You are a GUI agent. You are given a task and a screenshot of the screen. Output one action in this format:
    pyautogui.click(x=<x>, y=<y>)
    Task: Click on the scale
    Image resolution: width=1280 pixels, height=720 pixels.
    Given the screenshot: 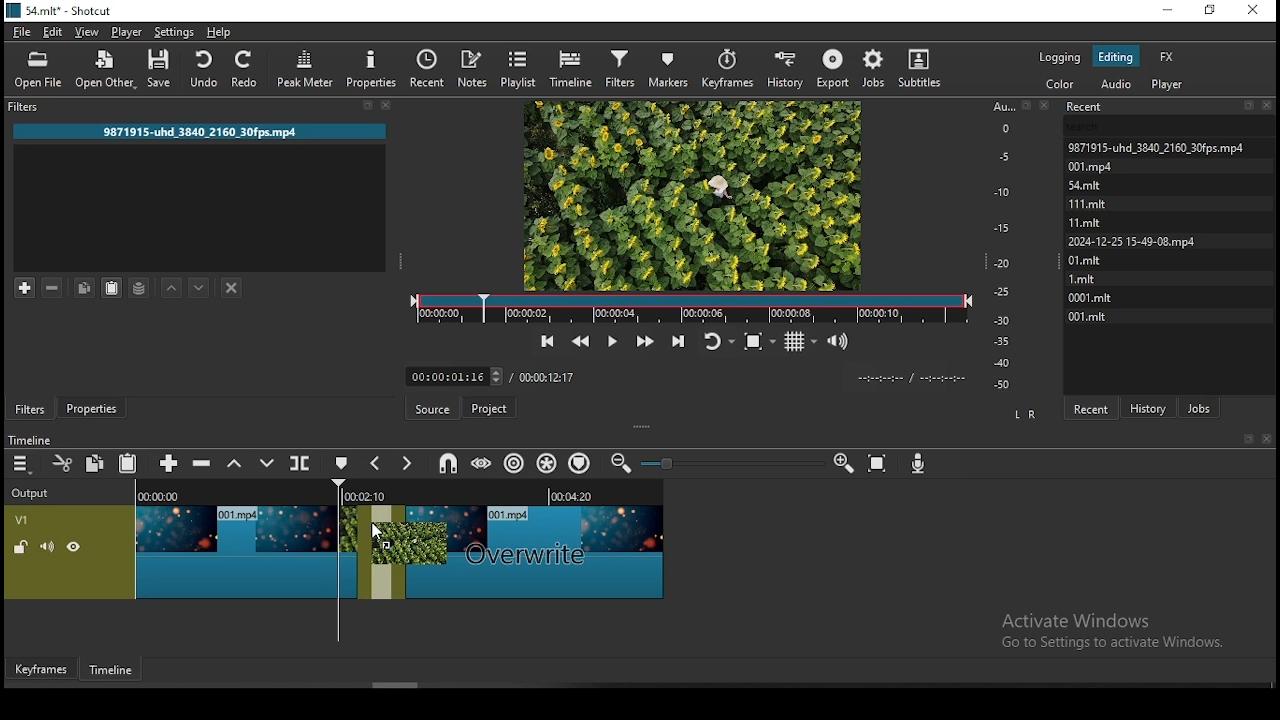 What is the action you would take?
    pyautogui.click(x=1008, y=243)
    